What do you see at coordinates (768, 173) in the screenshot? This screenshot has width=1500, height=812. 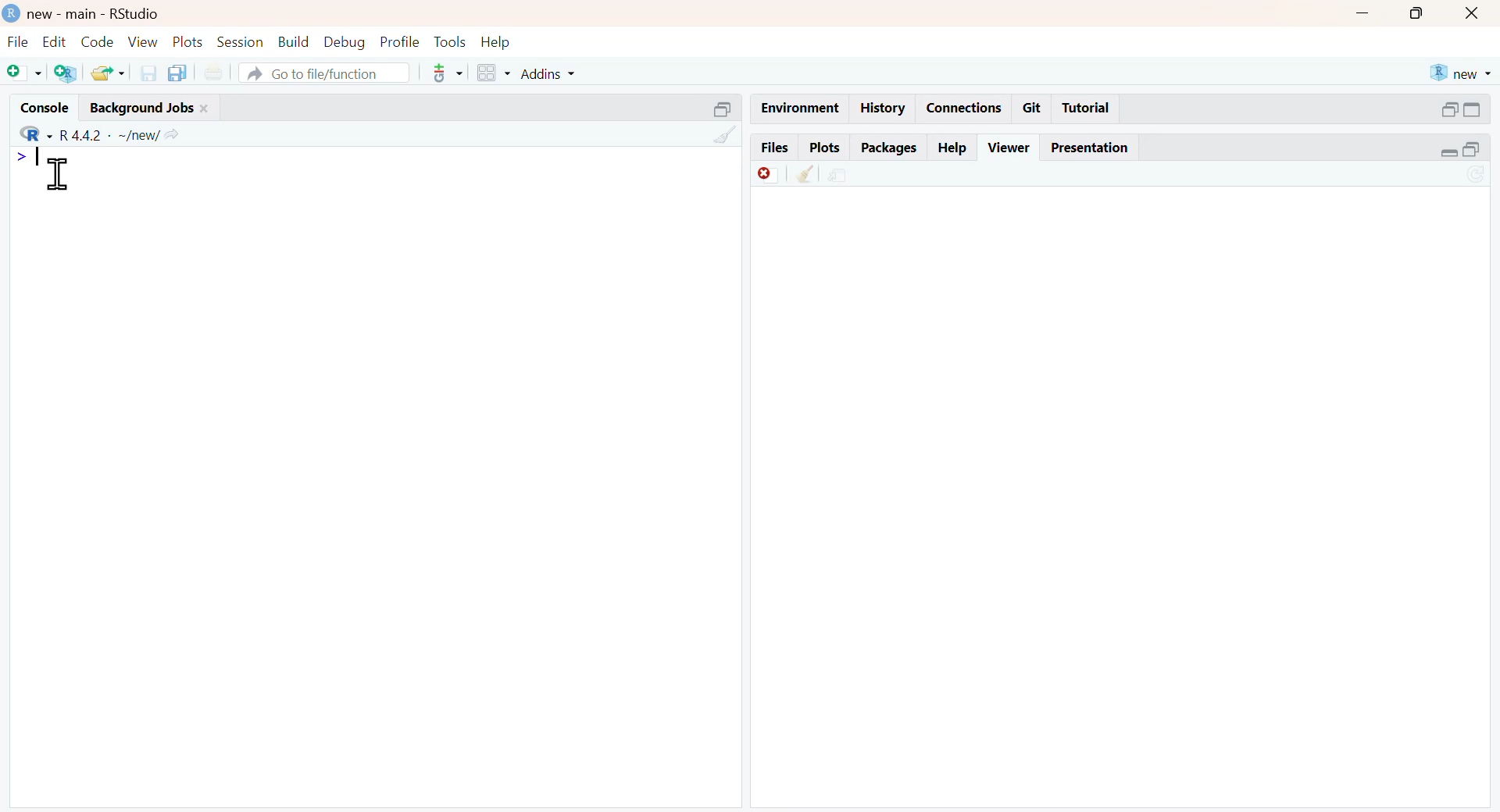 I see `offline` at bounding box center [768, 173].